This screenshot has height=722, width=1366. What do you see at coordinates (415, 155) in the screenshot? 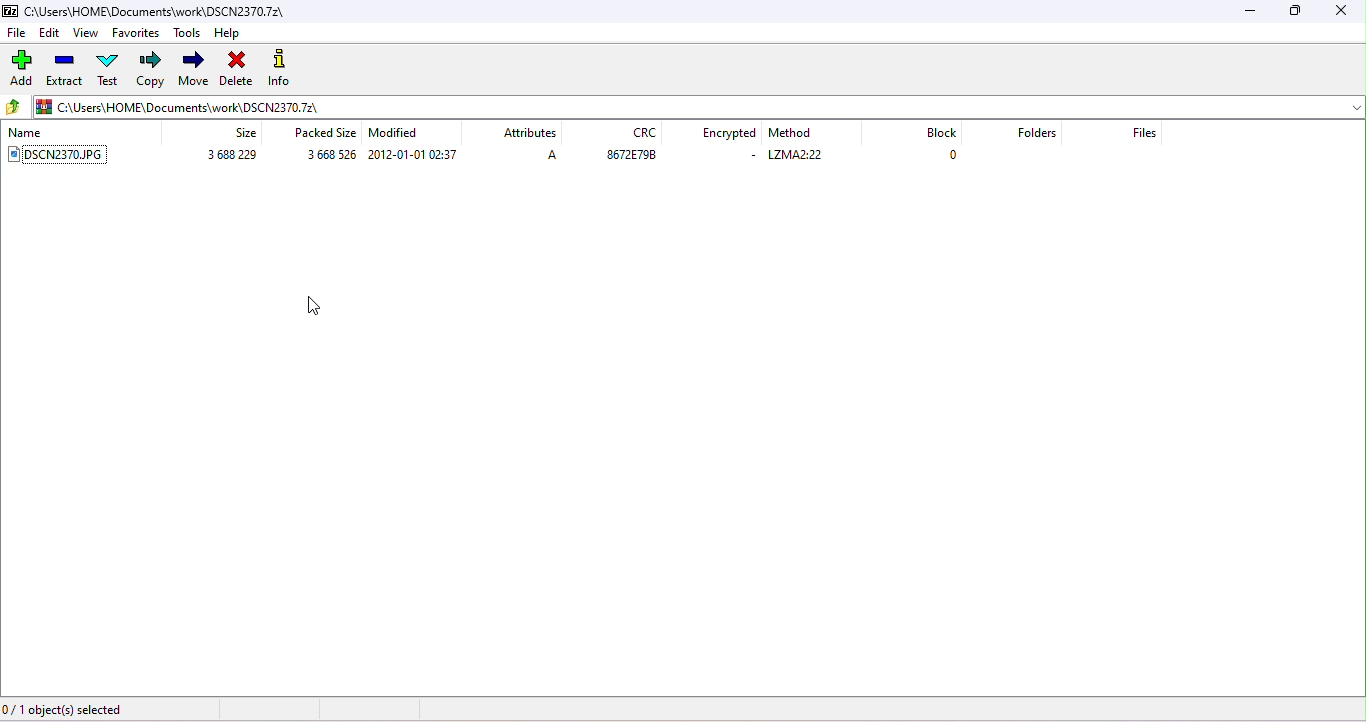
I see `modified date and time` at bounding box center [415, 155].